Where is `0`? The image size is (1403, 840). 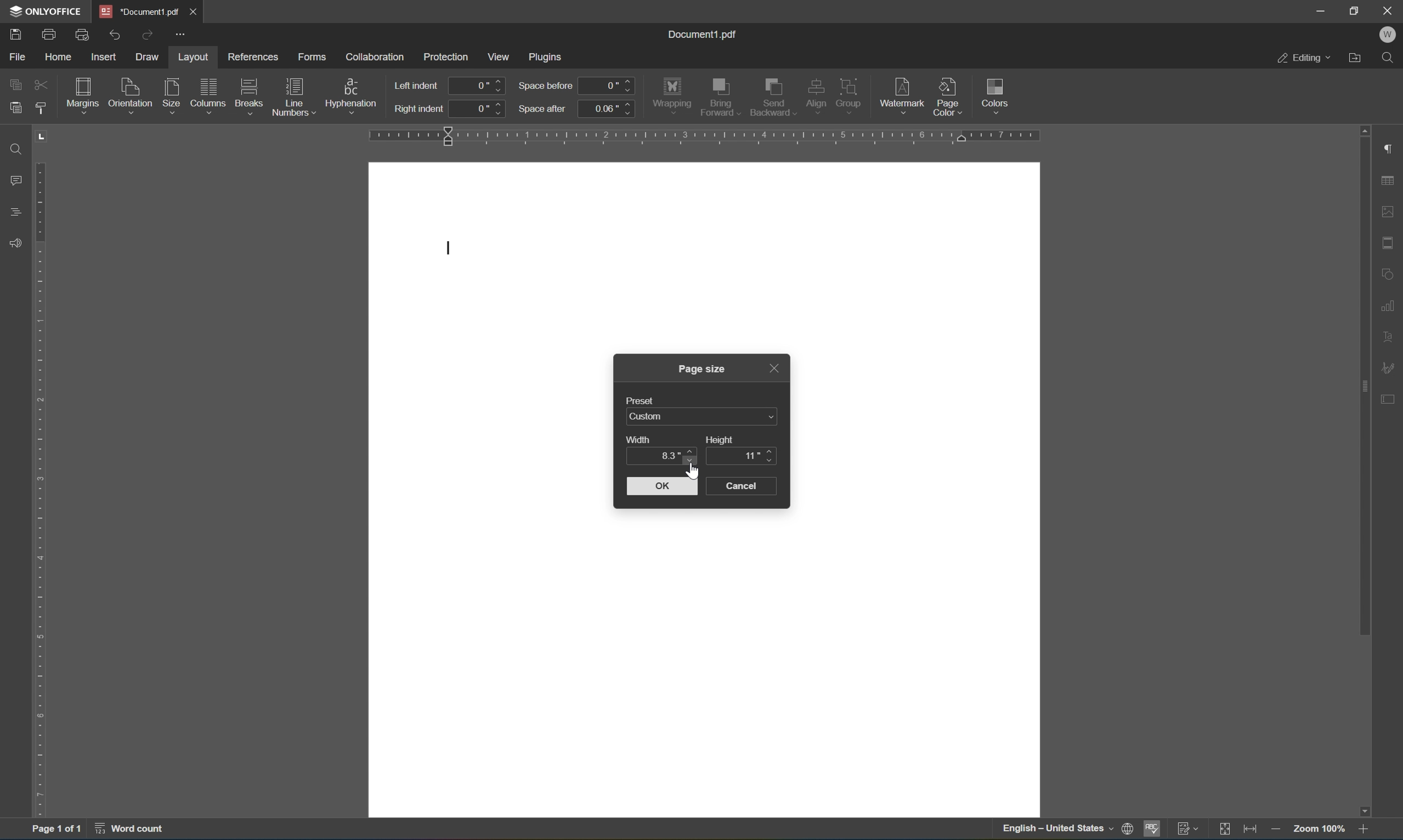 0 is located at coordinates (478, 85).